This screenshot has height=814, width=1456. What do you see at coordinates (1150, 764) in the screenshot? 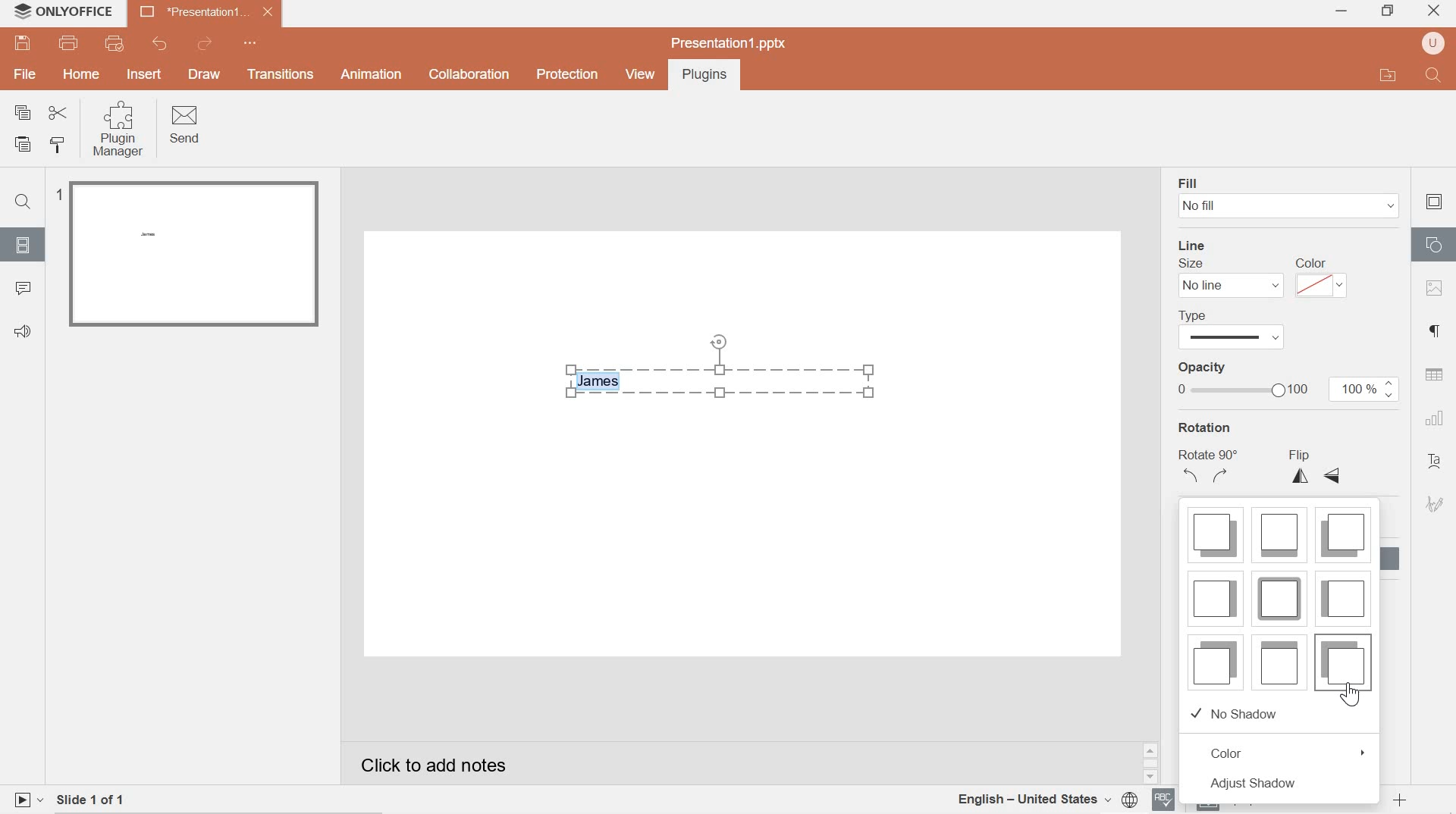
I see `scrollbar` at bounding box center [1150, 764].